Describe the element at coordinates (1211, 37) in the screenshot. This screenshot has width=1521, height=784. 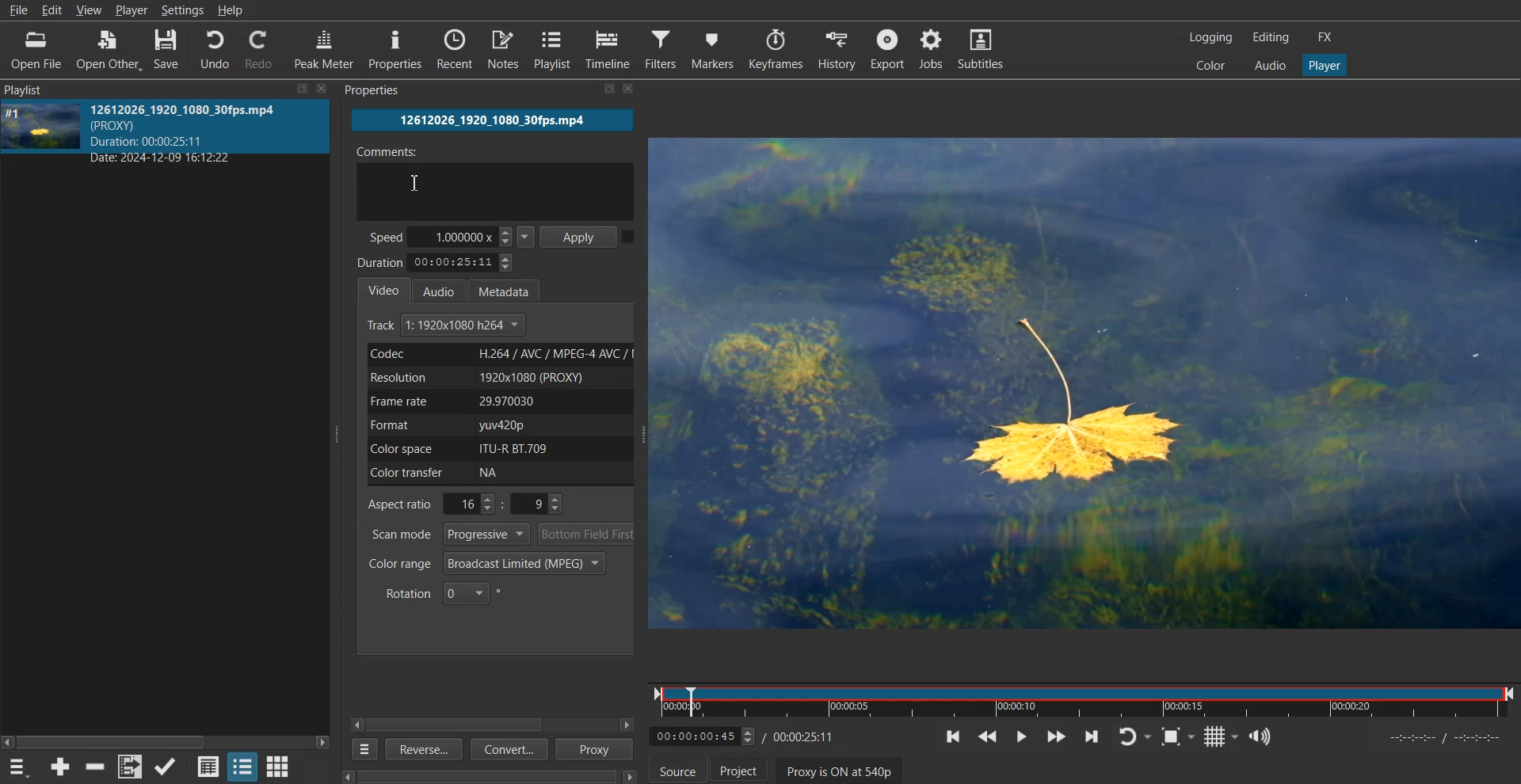
I see `Logging` at that location.